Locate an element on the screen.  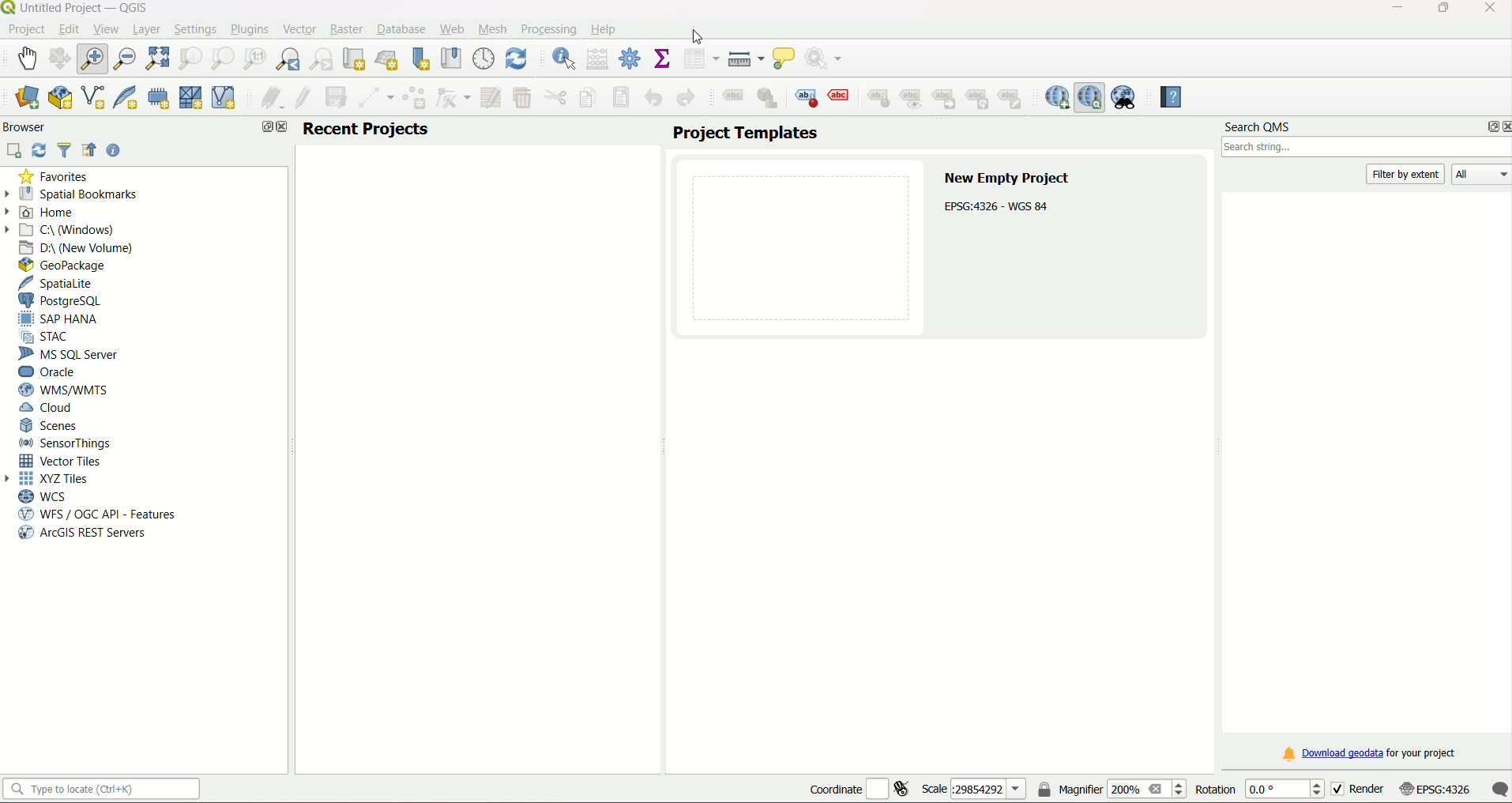
new geopack layer is located at coordinates (58, 98).